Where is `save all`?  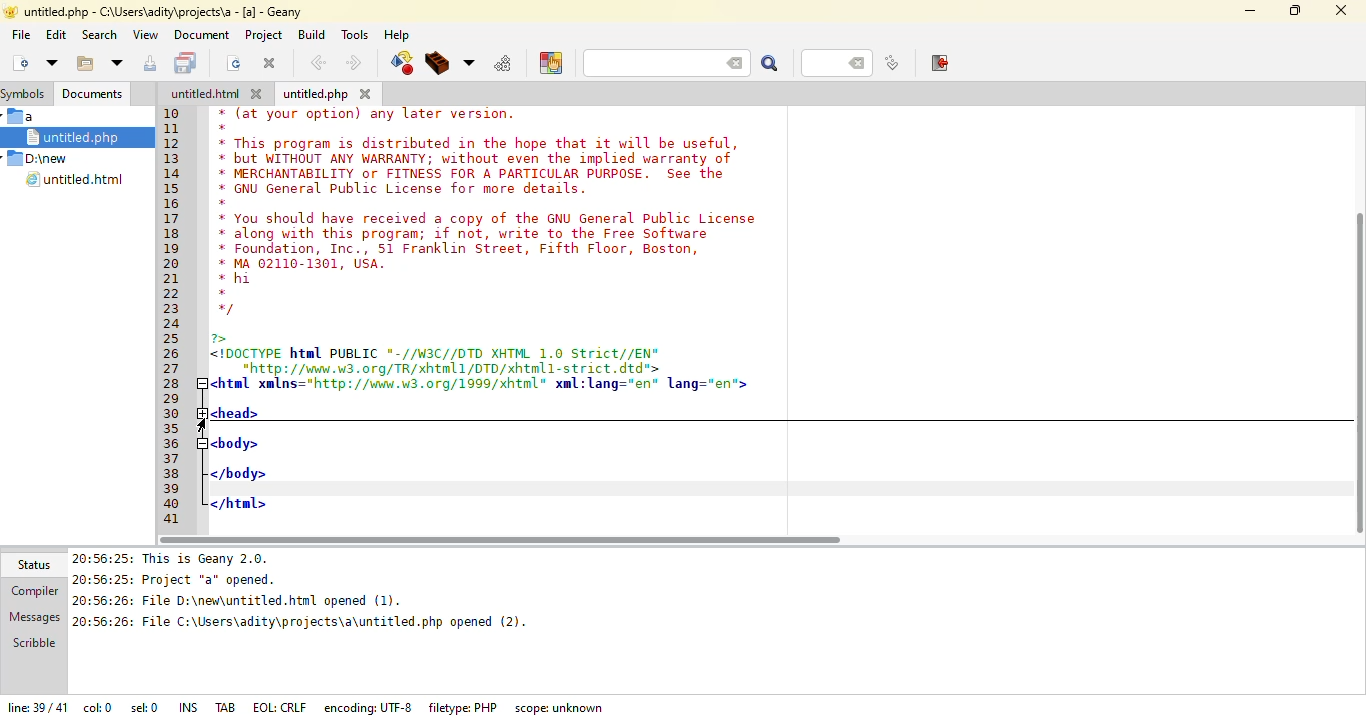
save all is located at coordinates (186, 63).